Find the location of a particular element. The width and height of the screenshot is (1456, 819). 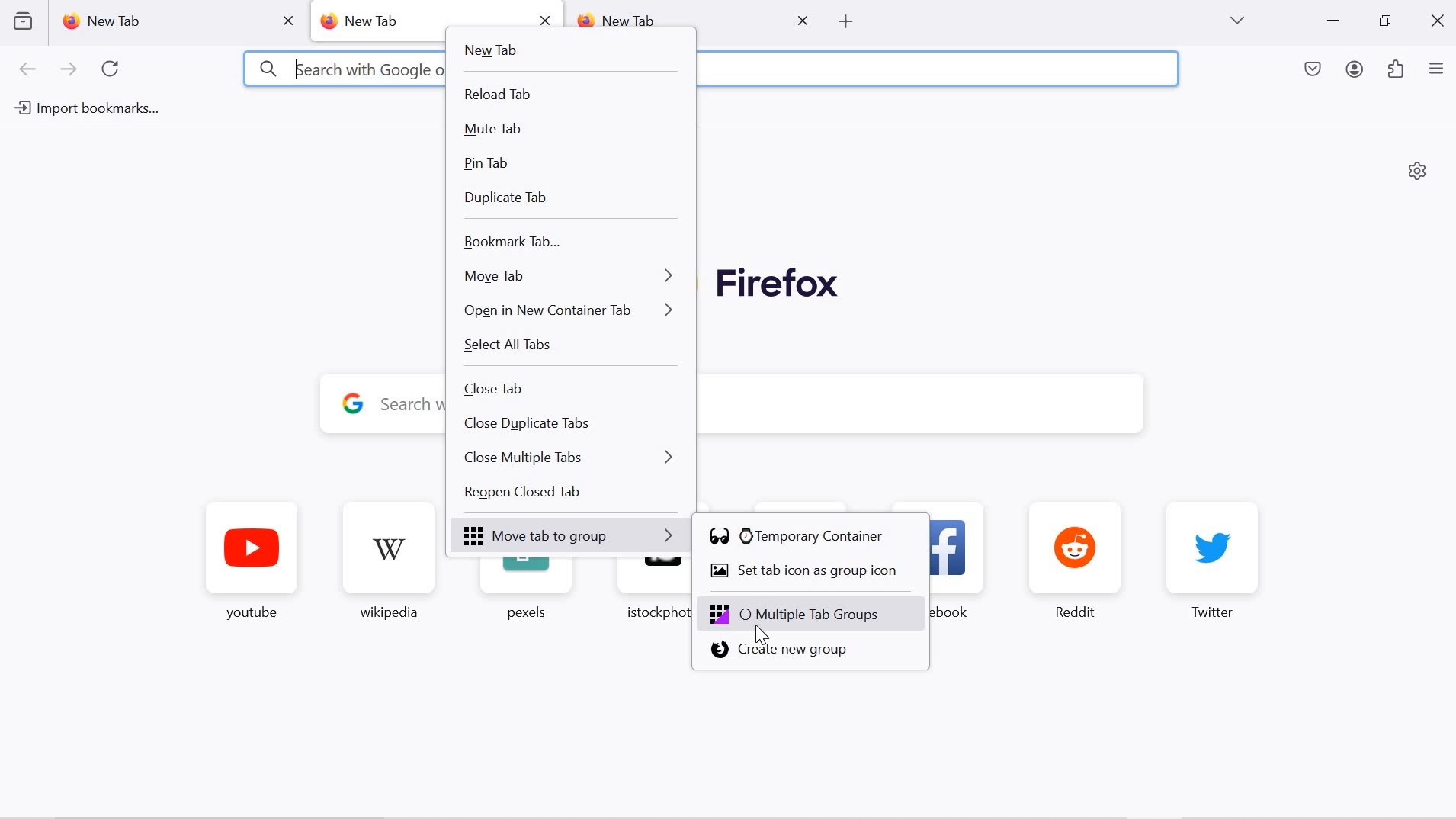

youtube favorite is located at coordinates (252, 564).